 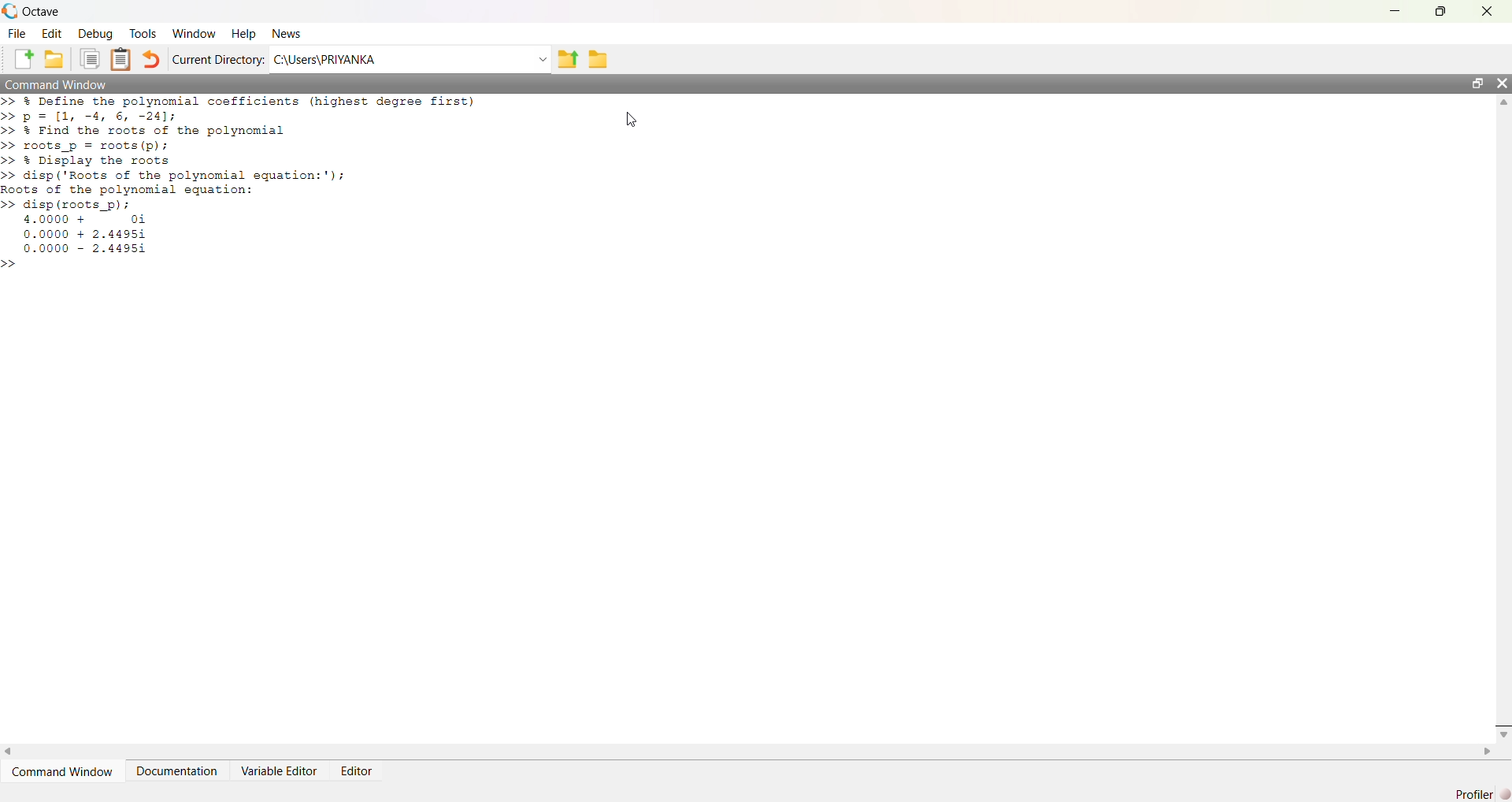 I want to click on Documentation, so click(x=176, y=771).